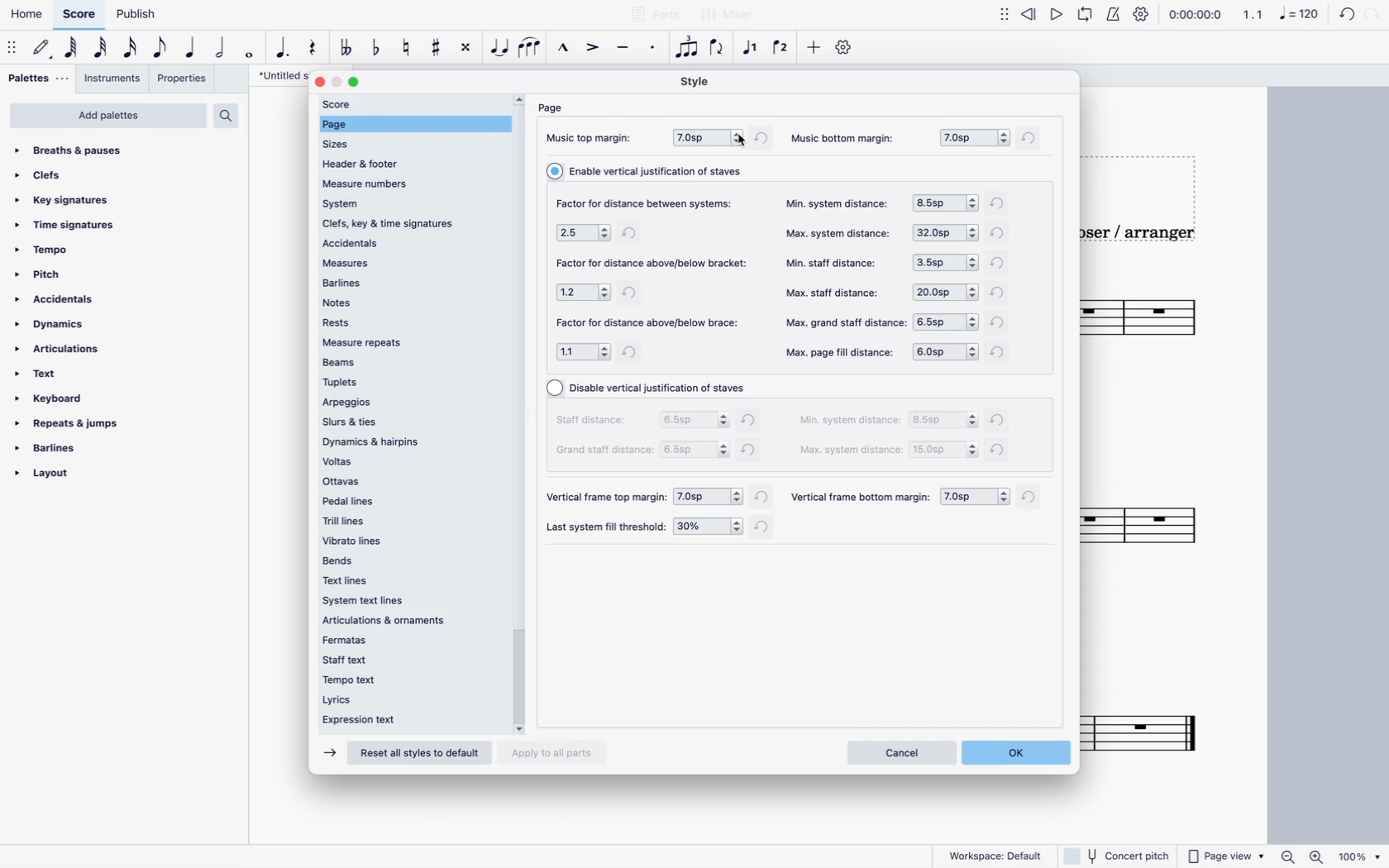  I want to click on ottavas, so click(409, 482).